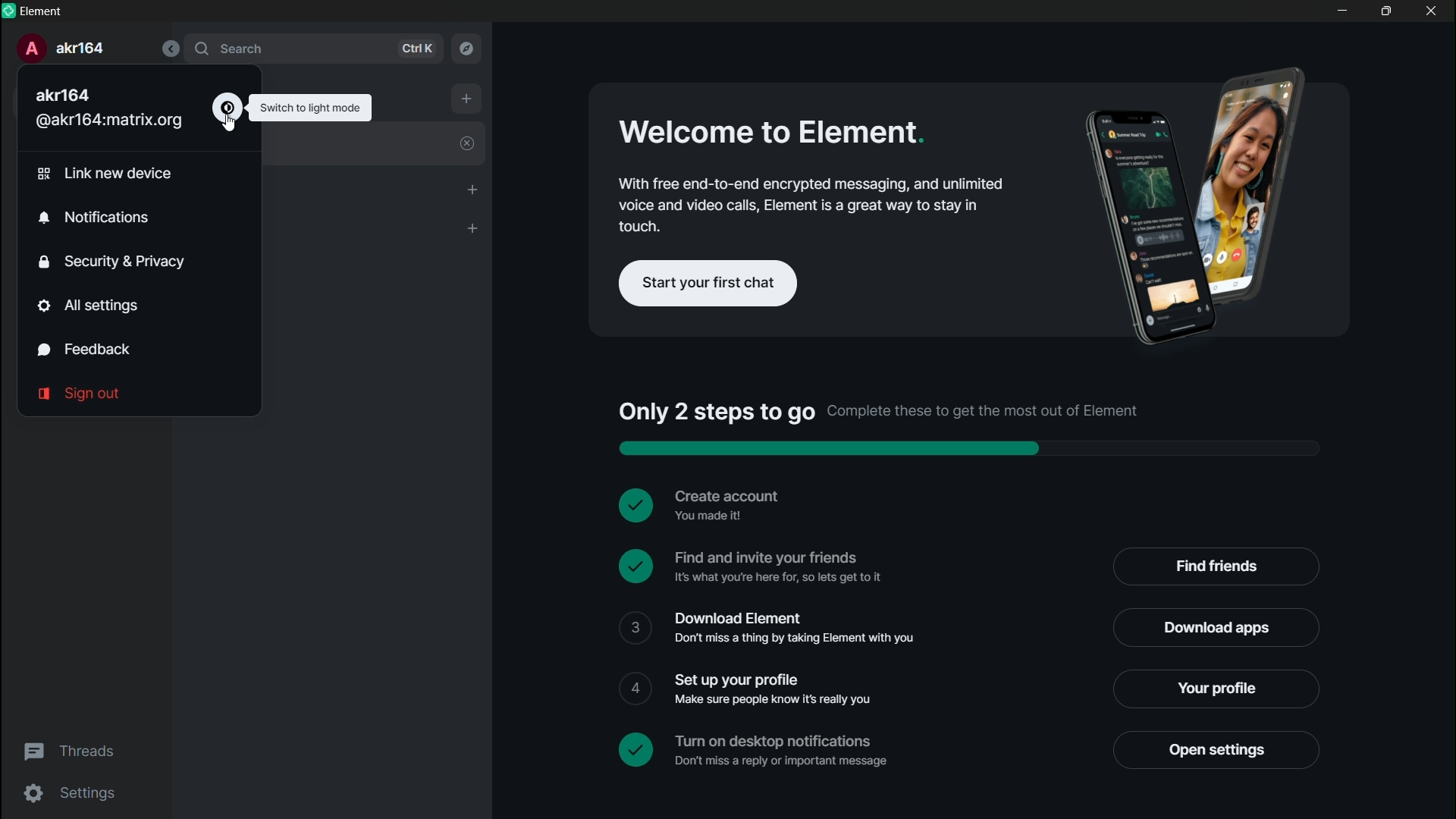  Describe the element at coordinates (71, 752) in the screenshot. I see `threads` at that location.